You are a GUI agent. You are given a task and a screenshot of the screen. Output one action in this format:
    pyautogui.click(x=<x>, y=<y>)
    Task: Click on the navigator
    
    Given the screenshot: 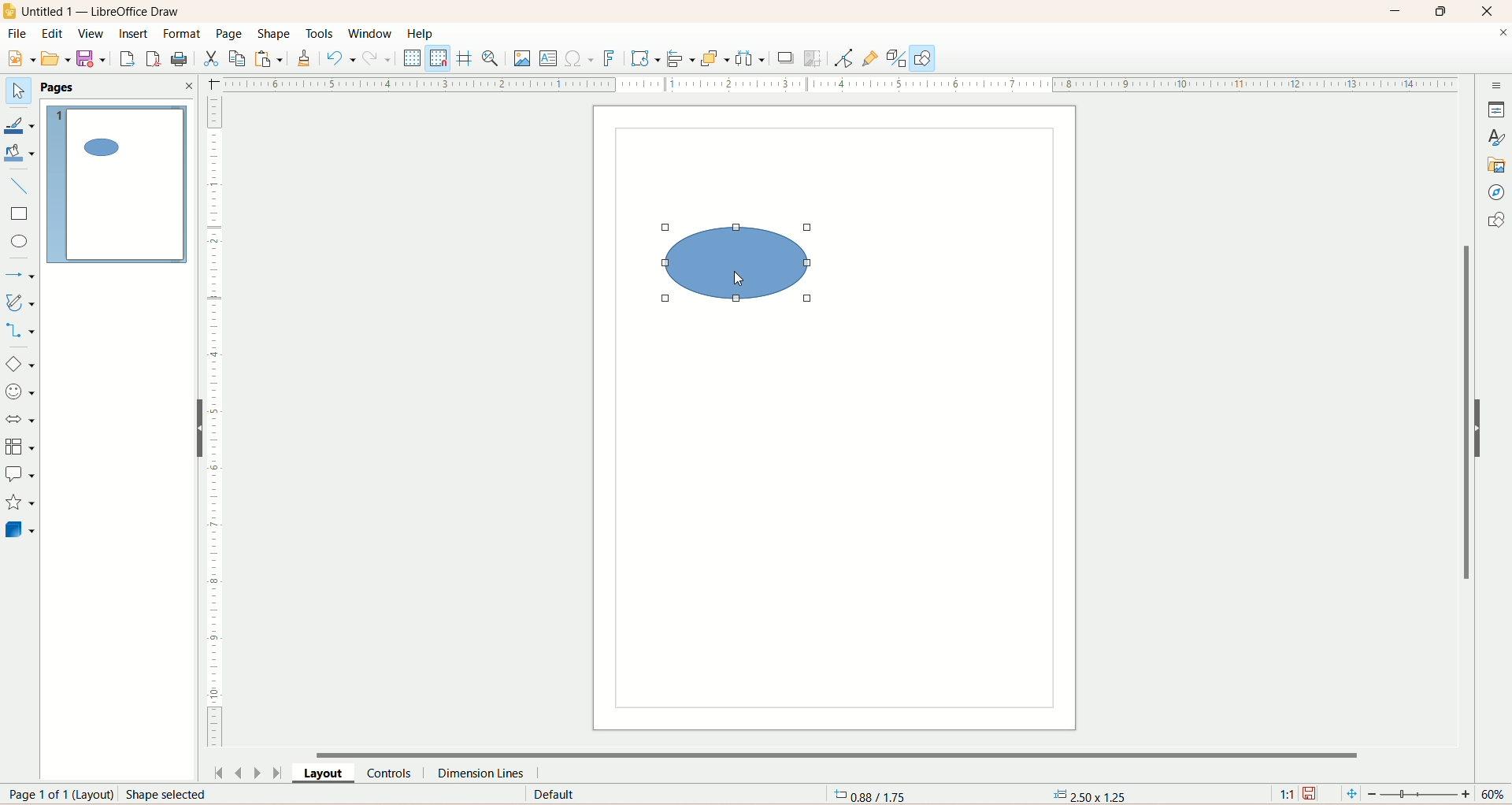 What is the action you would take?
    pyautogui.click(x=1499, y=194)
    